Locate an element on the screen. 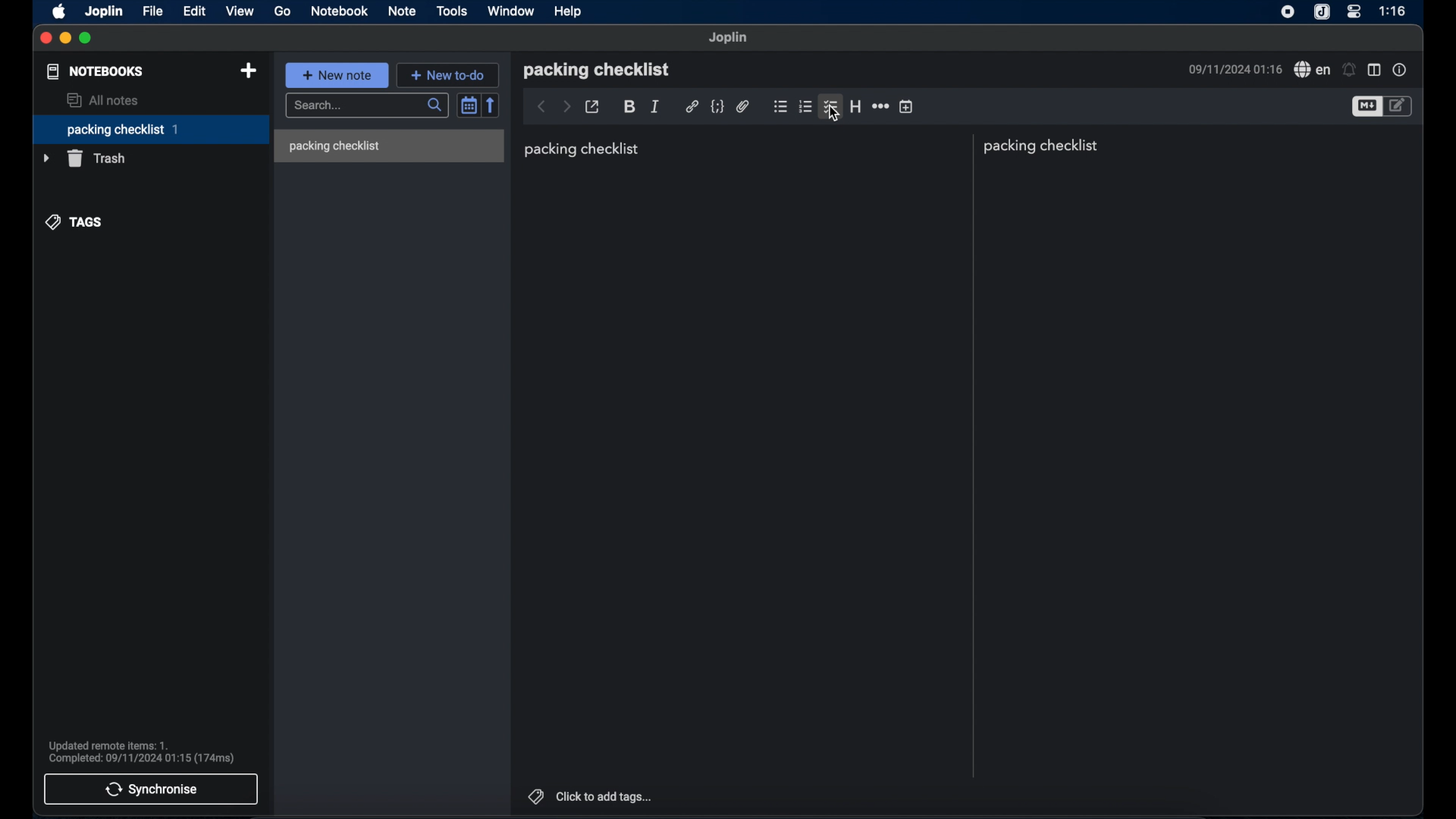 This screenshot has height=819, width=1456. insert time is located at coordinates (907, 107).